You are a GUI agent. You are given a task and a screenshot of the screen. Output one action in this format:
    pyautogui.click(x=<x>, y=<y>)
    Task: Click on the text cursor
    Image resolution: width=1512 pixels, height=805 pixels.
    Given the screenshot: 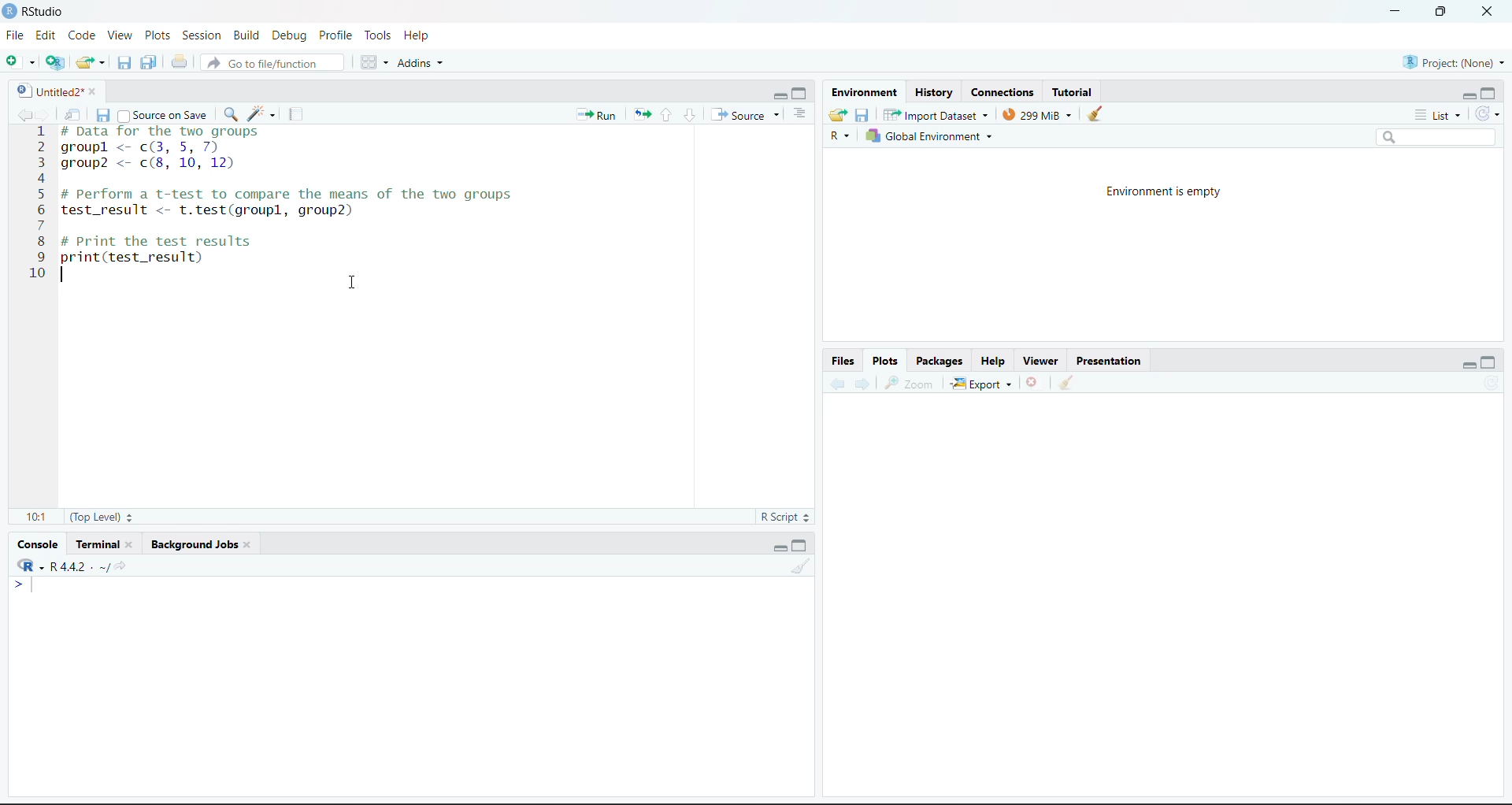 What is the action you would take?
    pyautogui.click(x=61, y=274)
    